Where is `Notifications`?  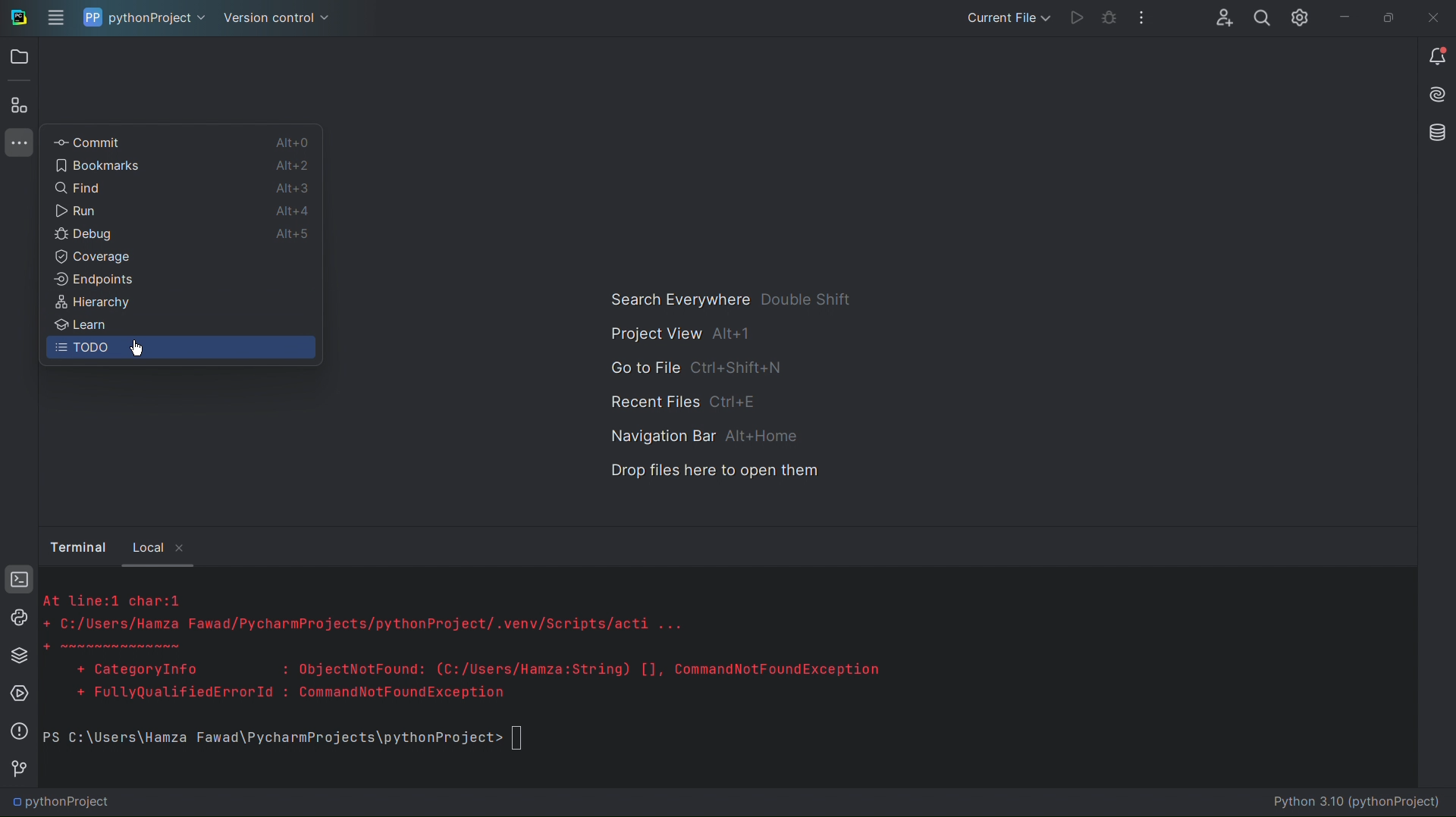
Notifications is located at coordinates (1435, 58).